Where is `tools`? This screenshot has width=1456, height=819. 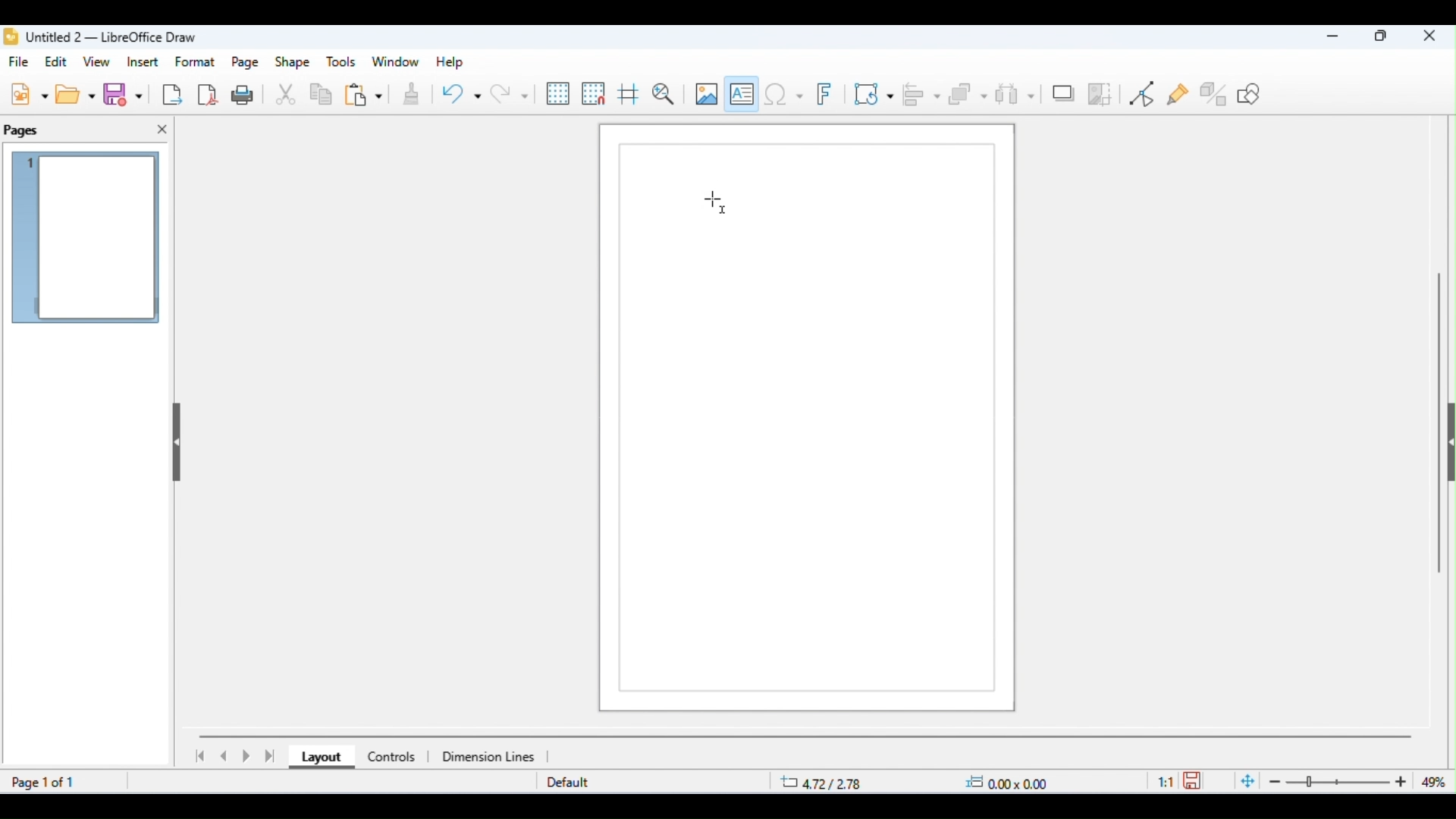 tools is located at coordinates (341, 62).